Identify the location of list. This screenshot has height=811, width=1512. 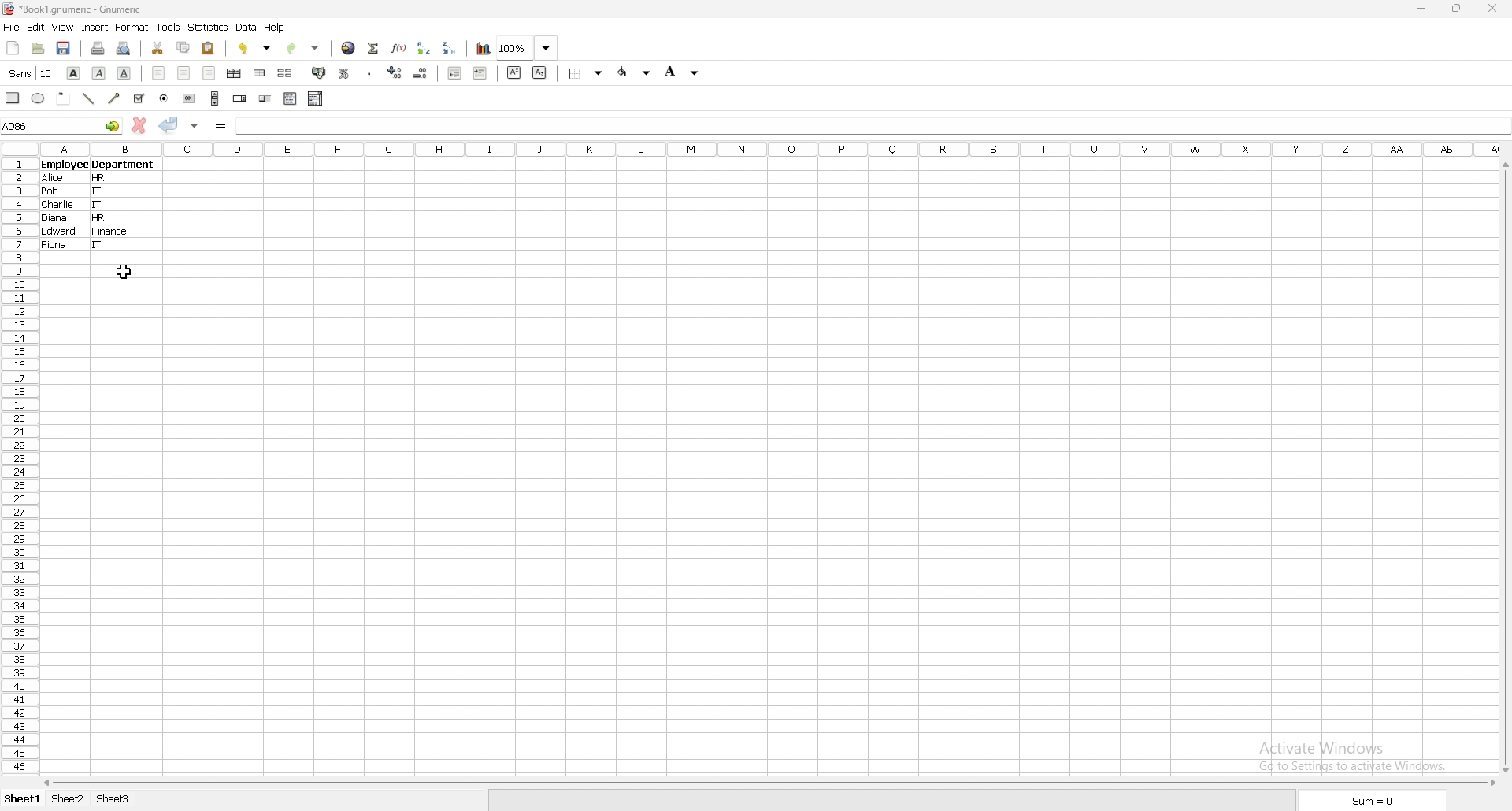
(291, 98).